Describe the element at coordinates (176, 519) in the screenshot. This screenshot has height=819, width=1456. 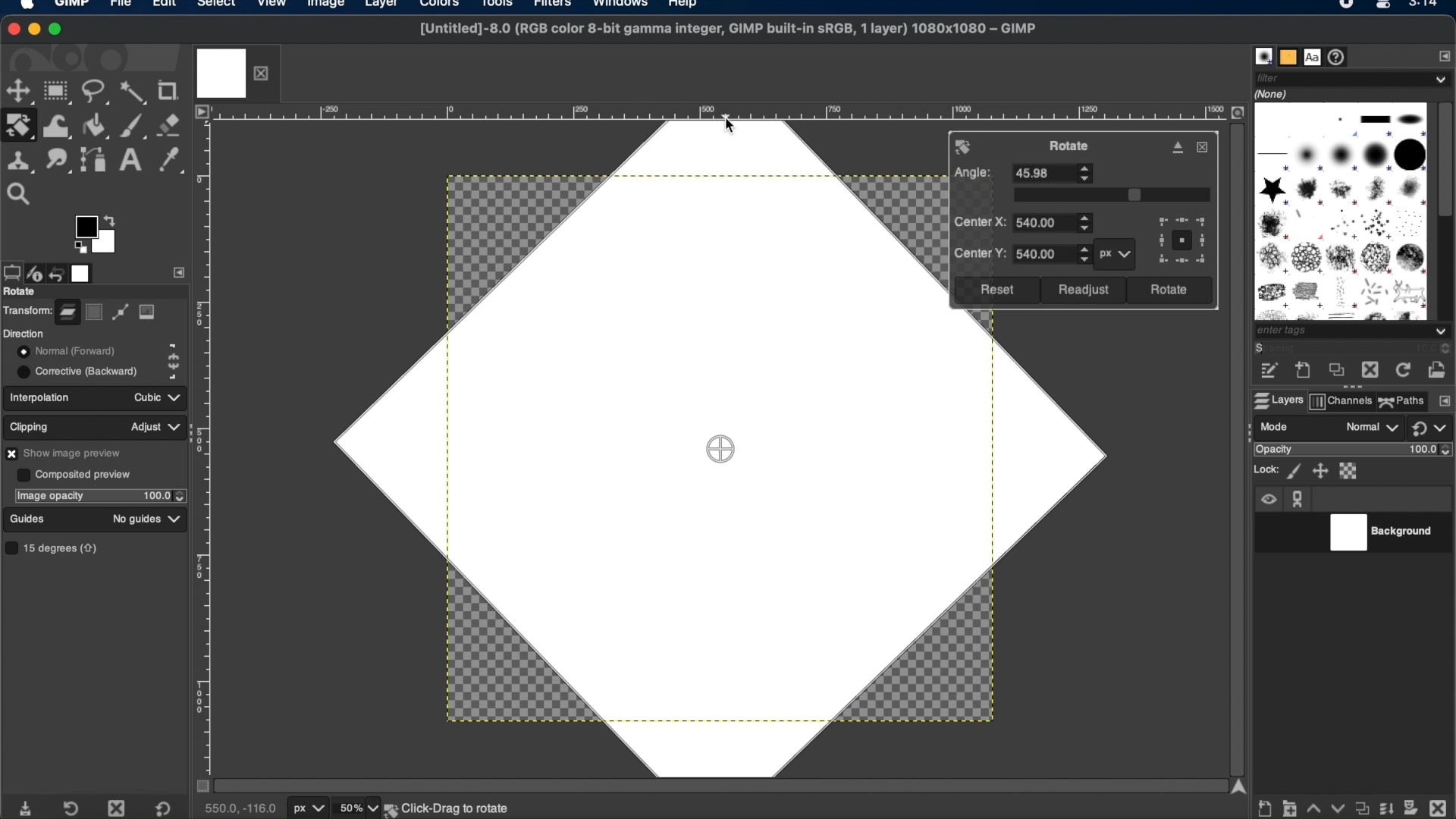
I see `guides dropdown` at that location.